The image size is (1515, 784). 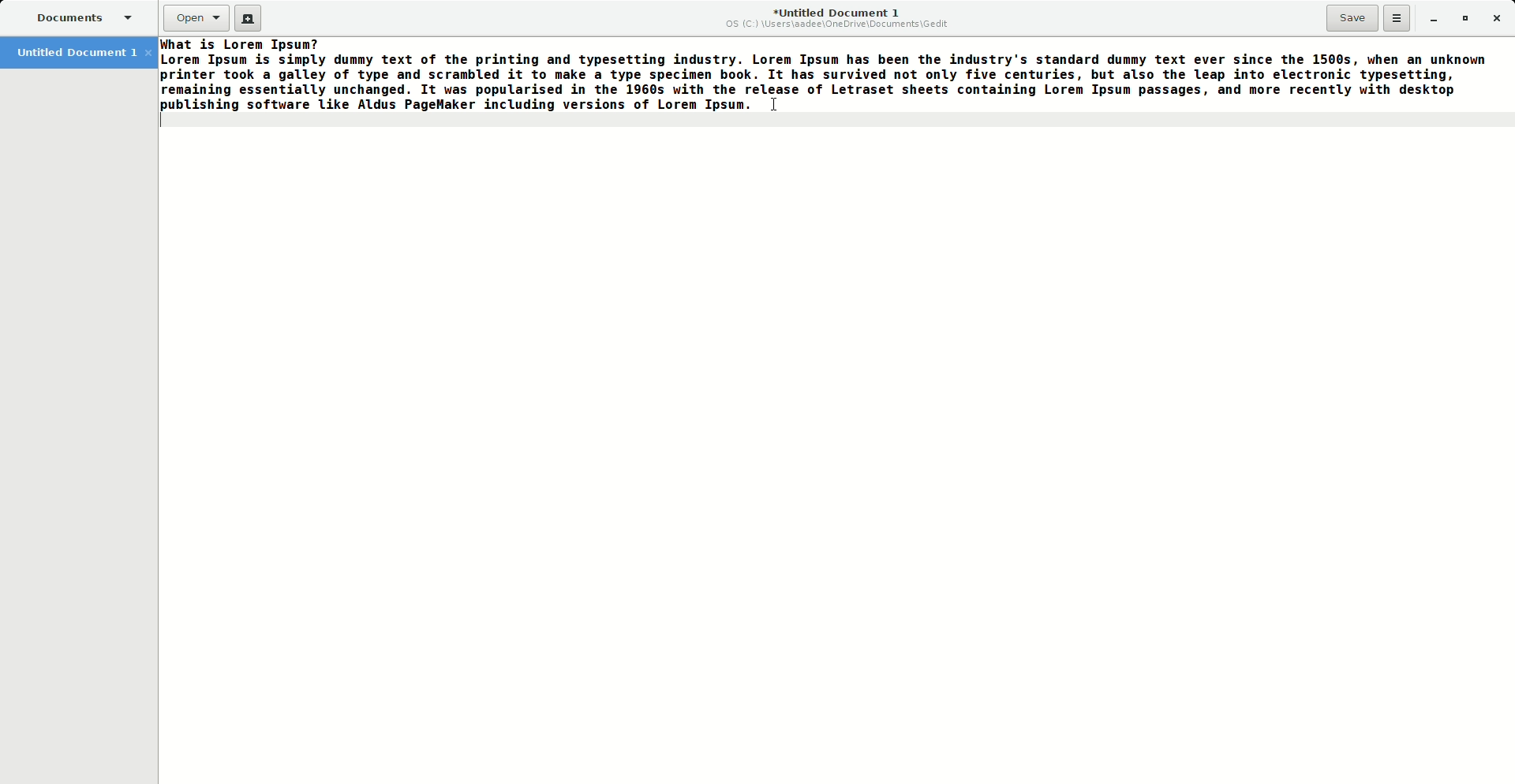 I want to click on Minimize, so click(x=1428, y=18).